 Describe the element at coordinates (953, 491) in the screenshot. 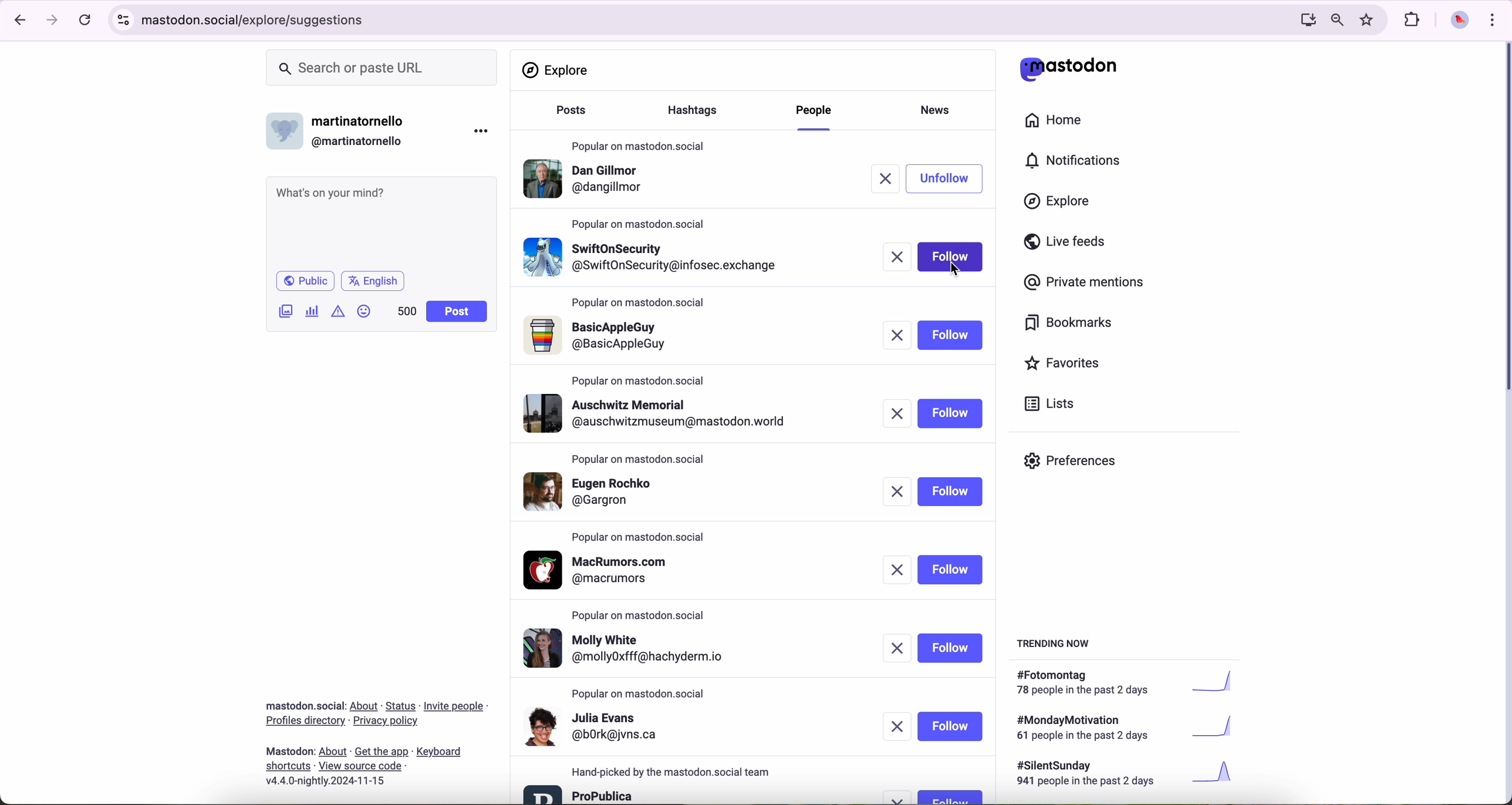

I see `follow button` at that location.